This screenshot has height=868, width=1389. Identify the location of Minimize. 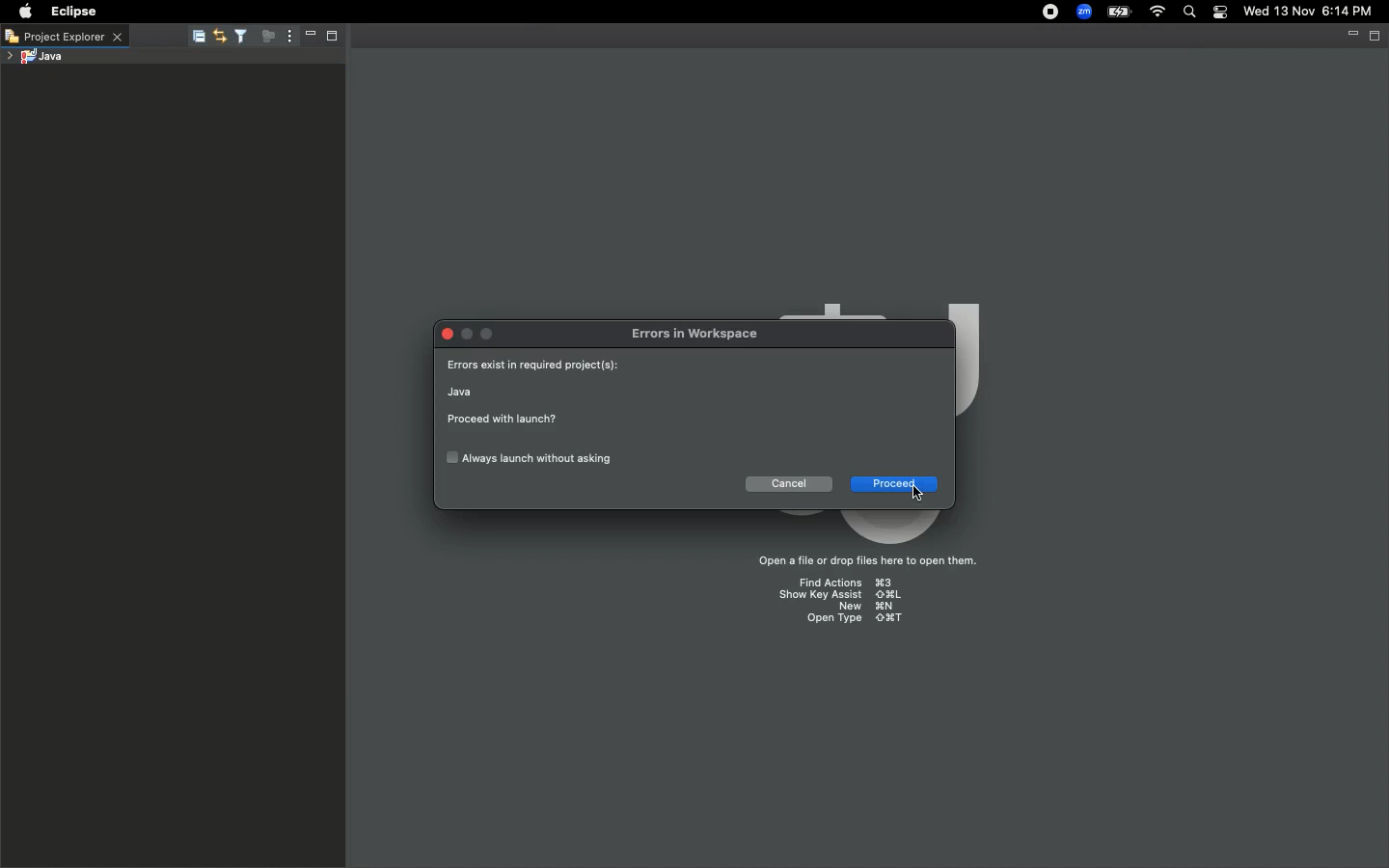
(311, 36).